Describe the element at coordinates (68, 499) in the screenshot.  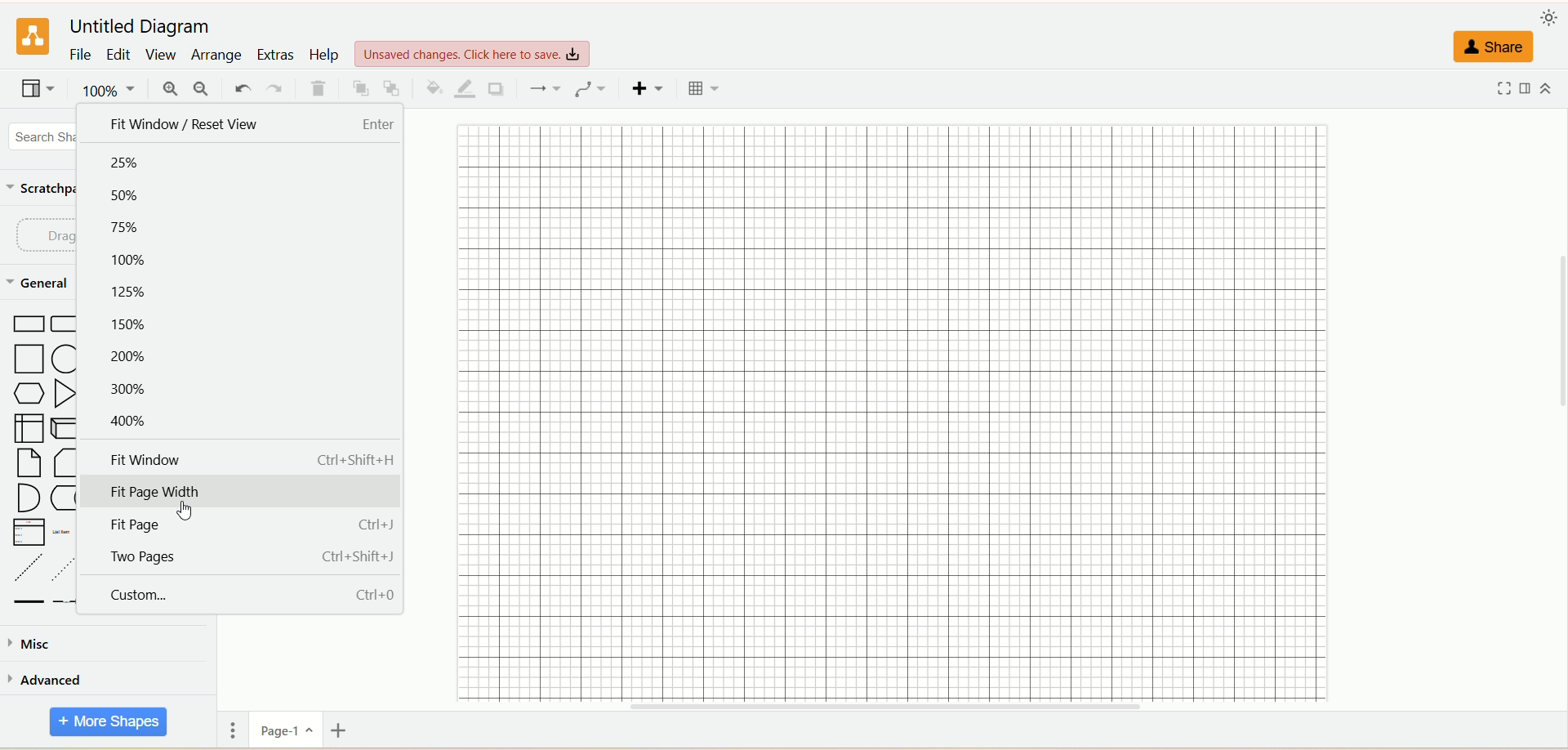
I see `data storage` at that location.